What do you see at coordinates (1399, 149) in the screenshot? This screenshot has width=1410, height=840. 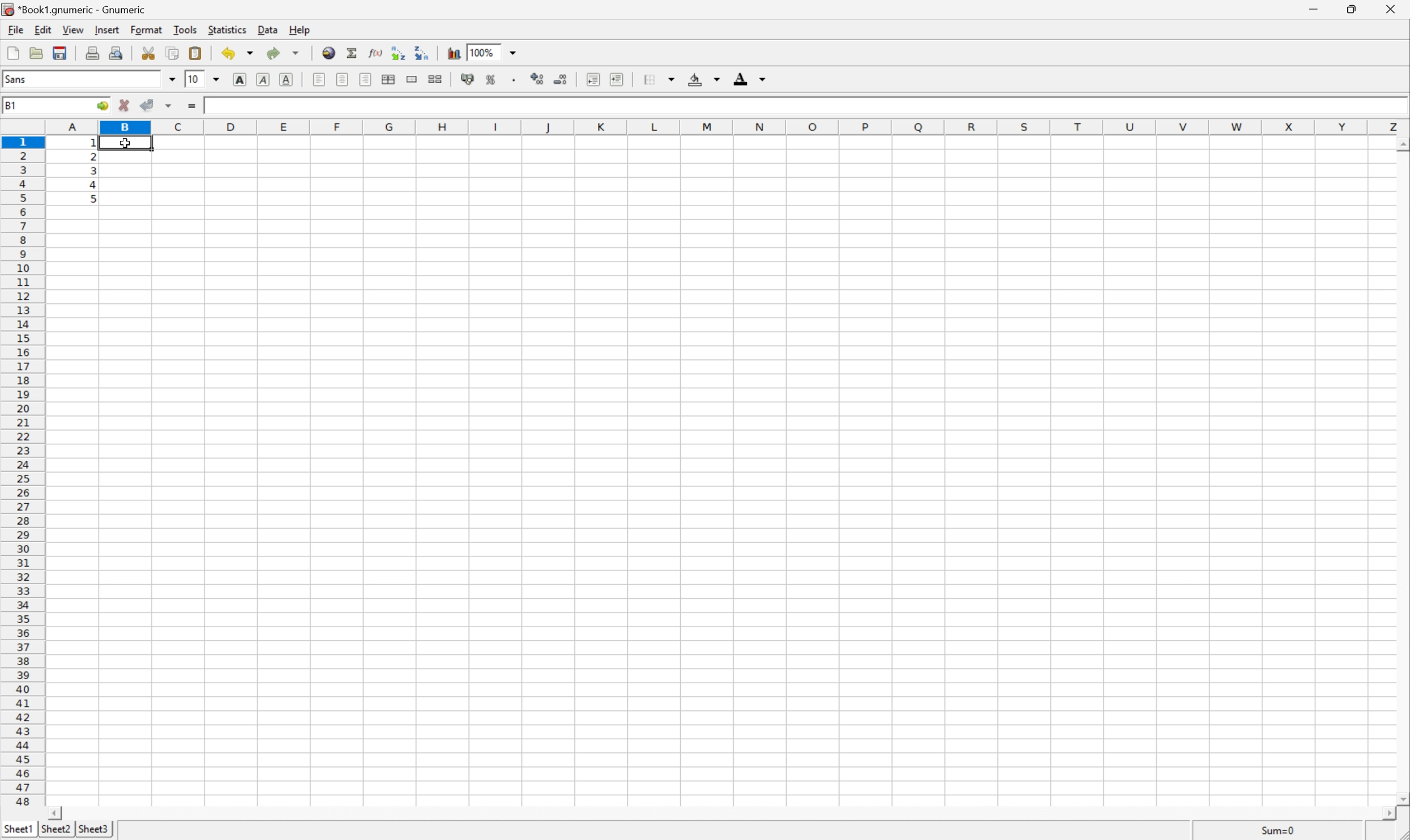 I see `` at bounding box center [1399, 149].